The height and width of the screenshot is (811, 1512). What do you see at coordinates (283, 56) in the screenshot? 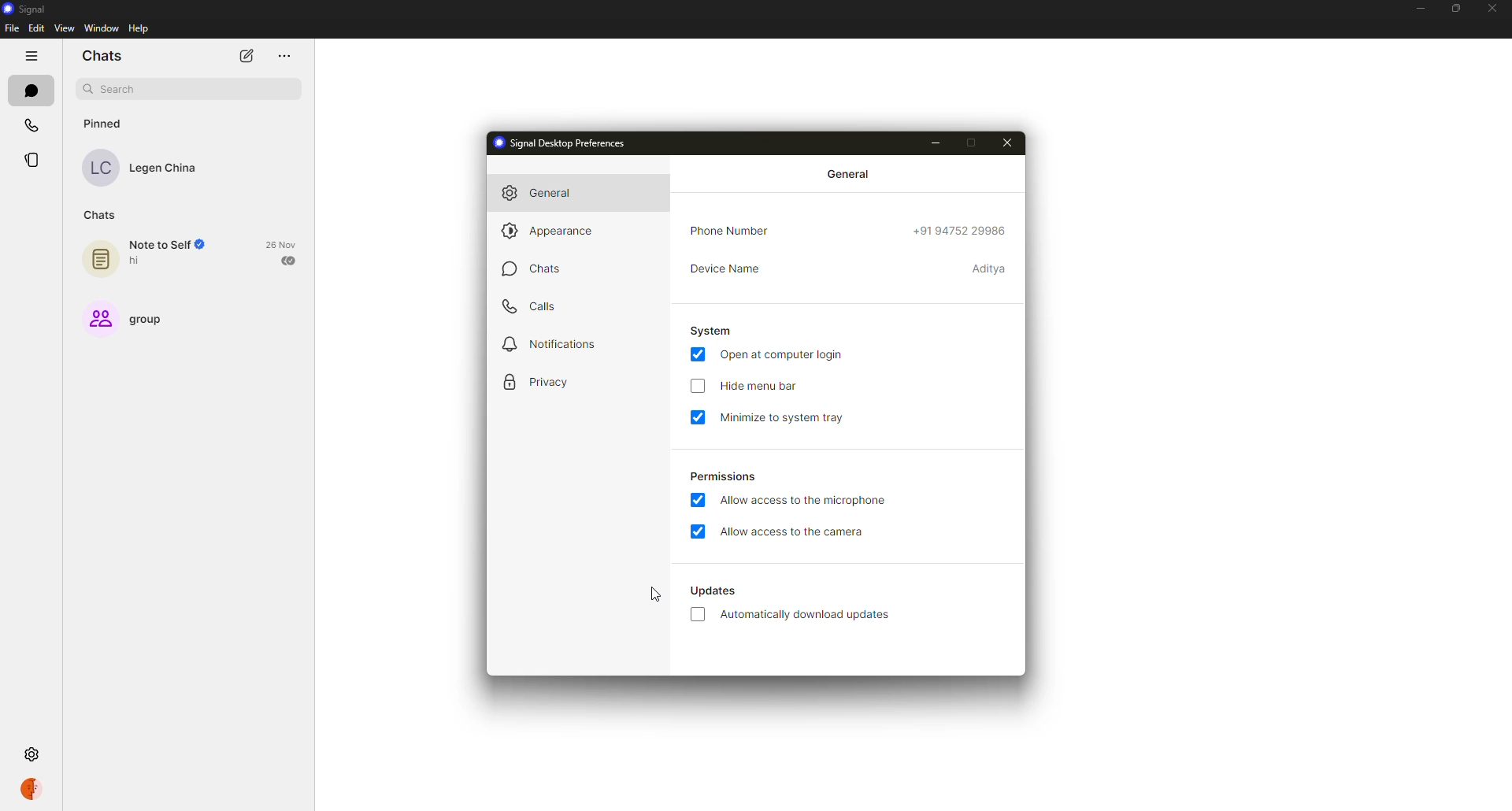
I see `more` at bounding box center [283, 56].